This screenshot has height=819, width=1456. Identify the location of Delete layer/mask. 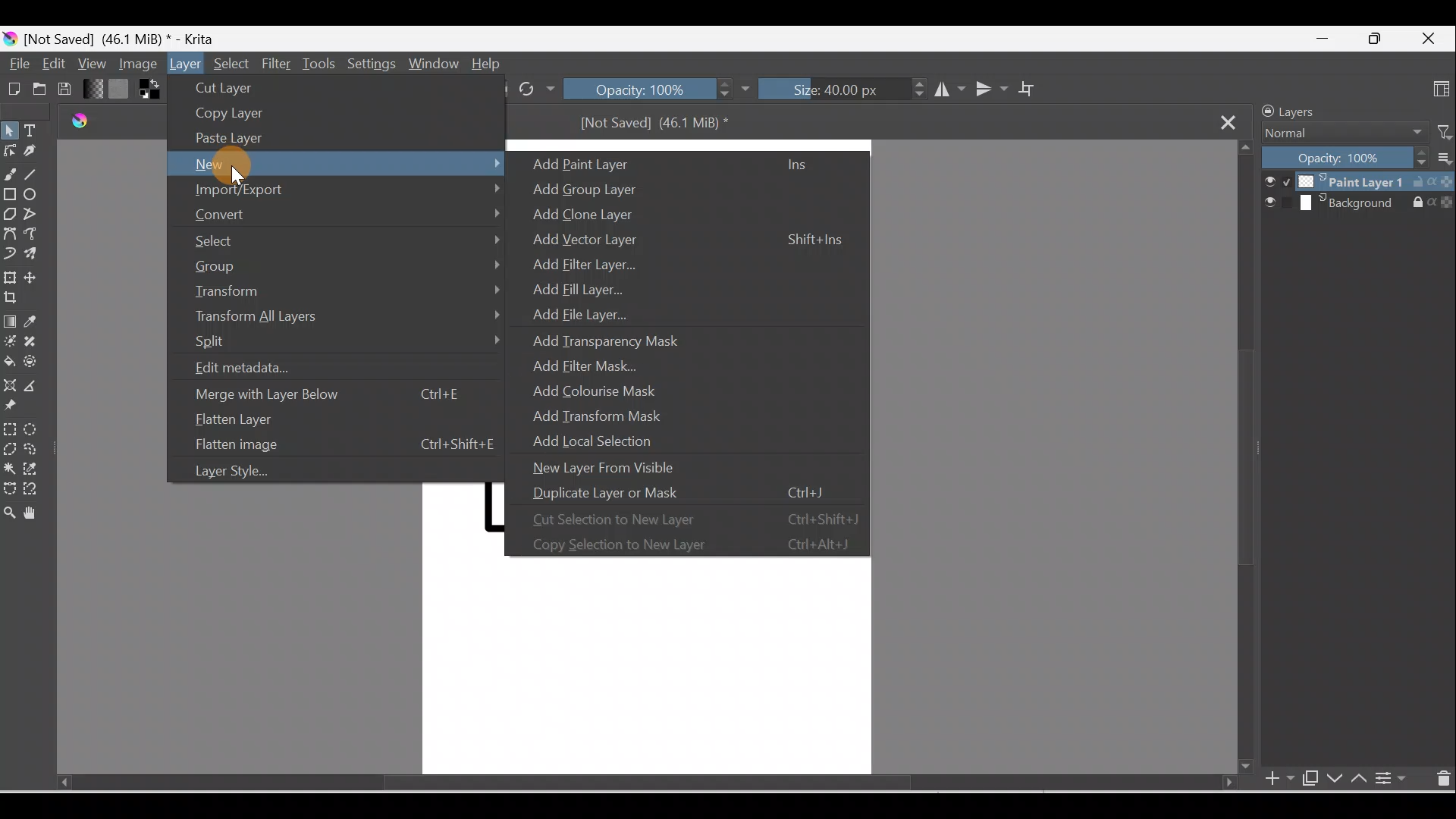
(1442, 780).